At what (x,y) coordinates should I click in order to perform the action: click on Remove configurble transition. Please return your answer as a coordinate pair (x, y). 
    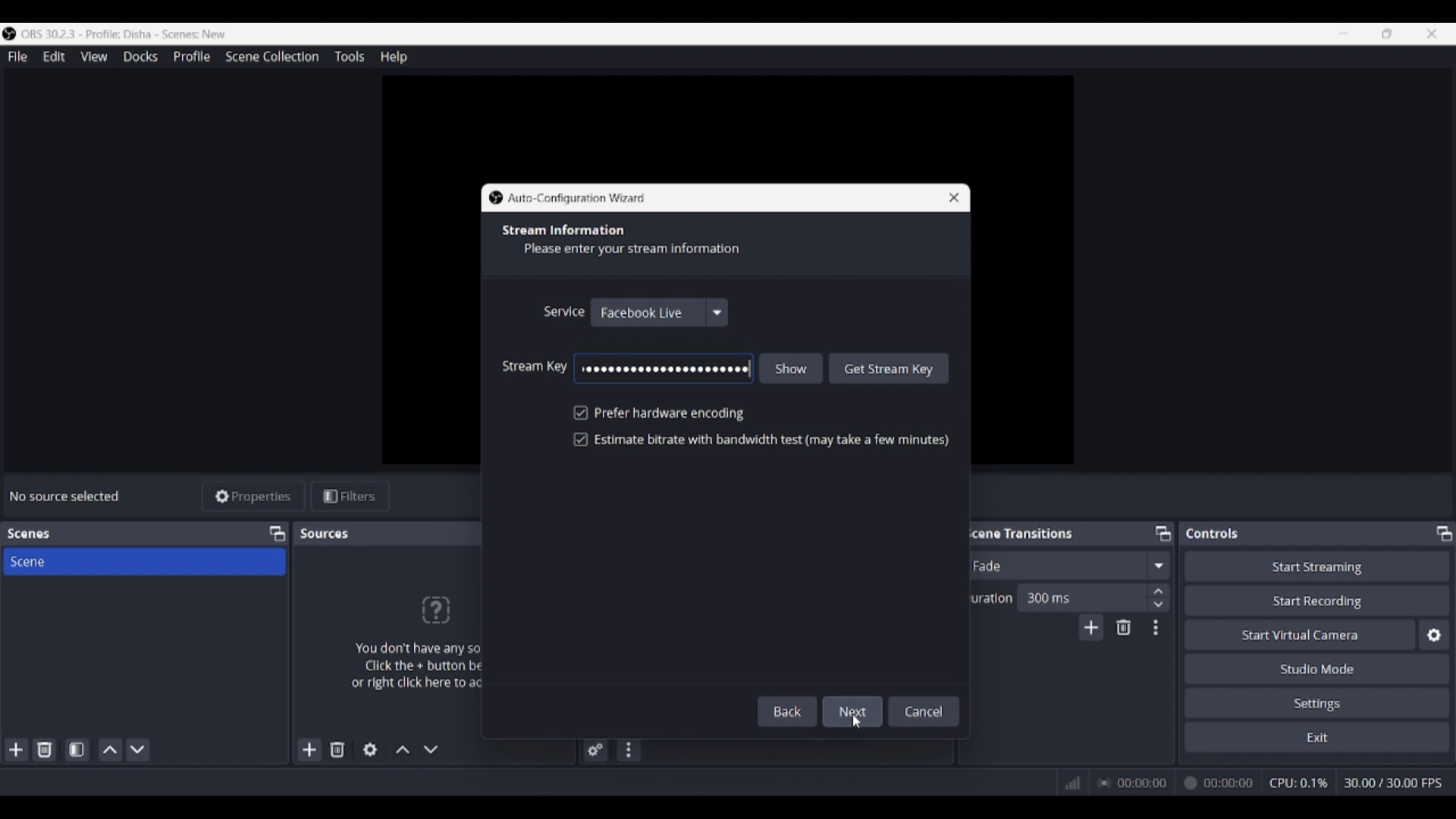
    Looking at the image, I should click on (1124, 627).